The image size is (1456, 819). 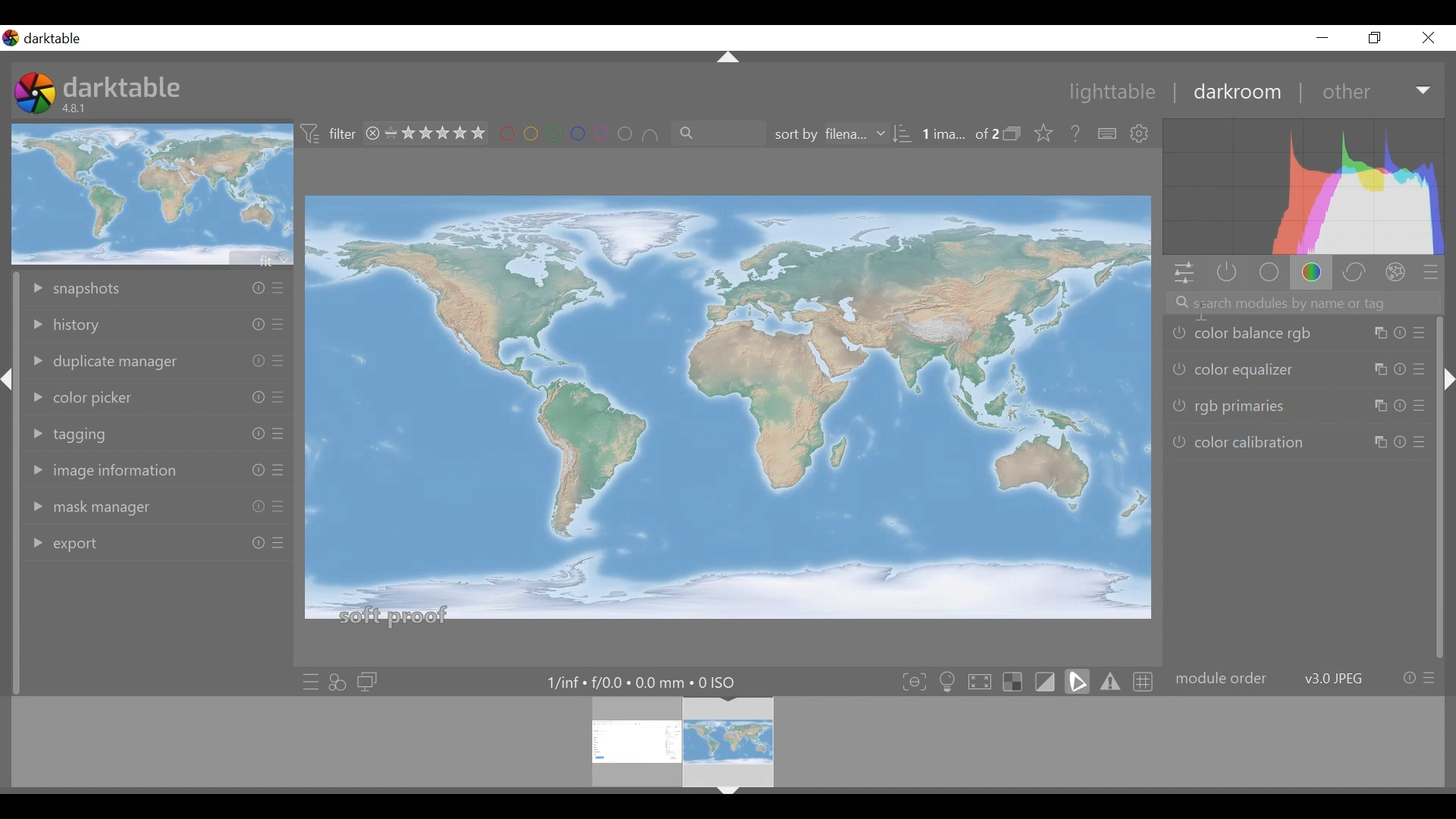 What do you see at coordinates (1236, 92) in the screenshot?
I see `darkroom` at bounding box center [1236, 92].